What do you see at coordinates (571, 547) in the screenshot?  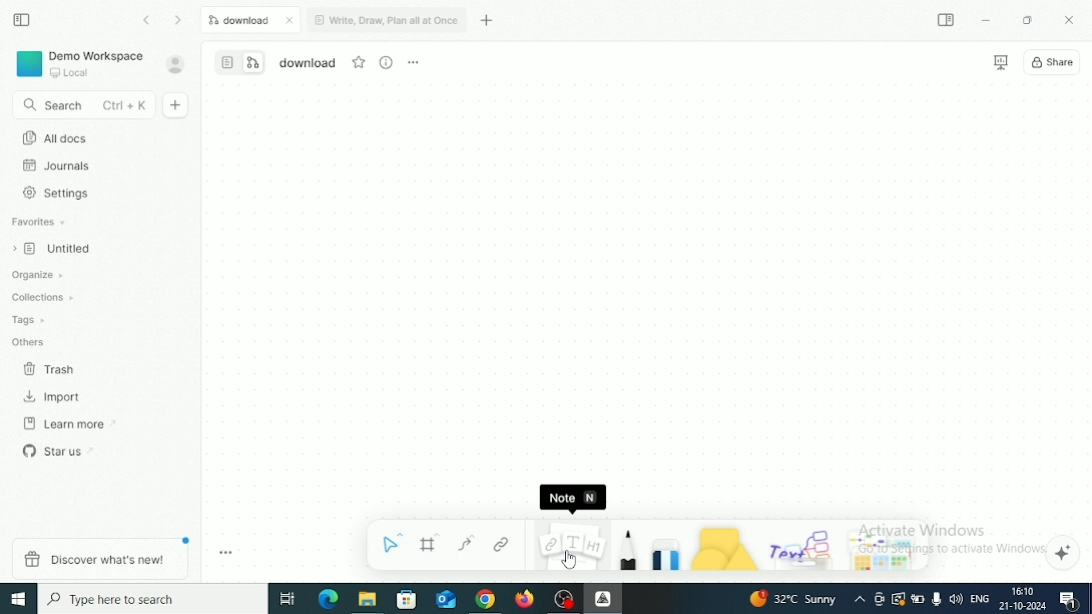 I see `Note` at bounding box center [571, 547].